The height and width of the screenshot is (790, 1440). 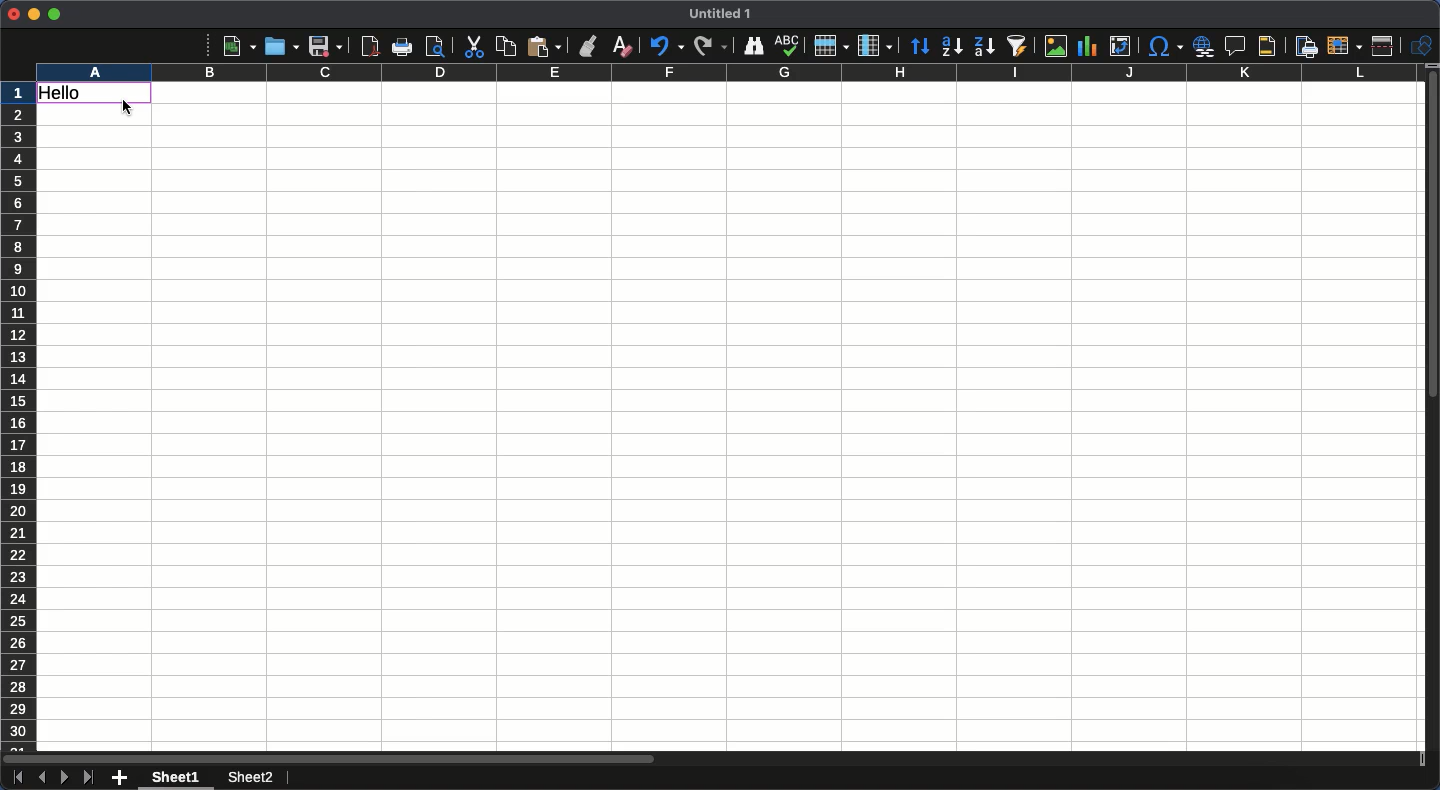 I want to click on Image, so click(x=1051, y=46).